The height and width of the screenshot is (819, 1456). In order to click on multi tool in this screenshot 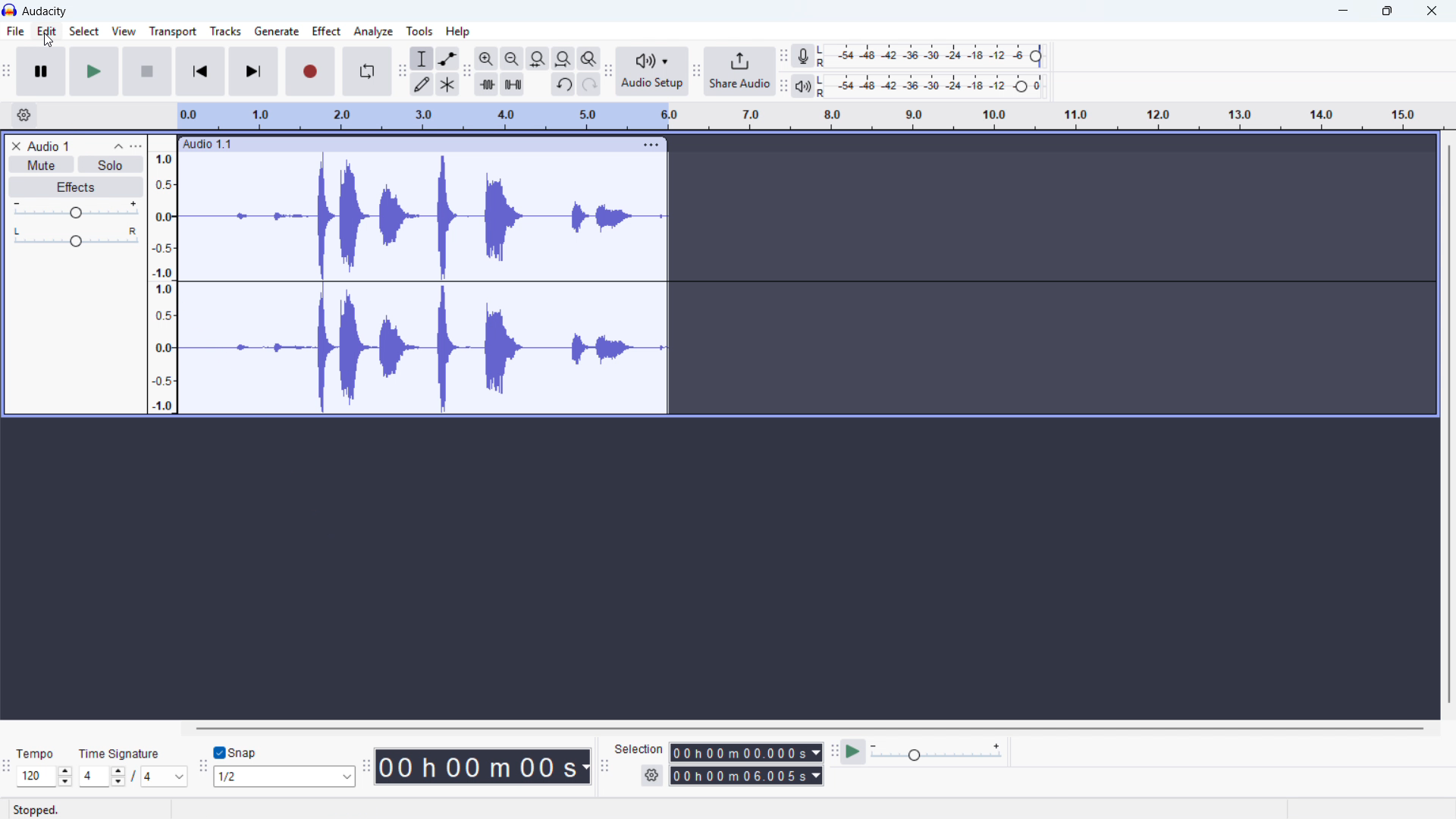, I will do `click(448, 85)`.